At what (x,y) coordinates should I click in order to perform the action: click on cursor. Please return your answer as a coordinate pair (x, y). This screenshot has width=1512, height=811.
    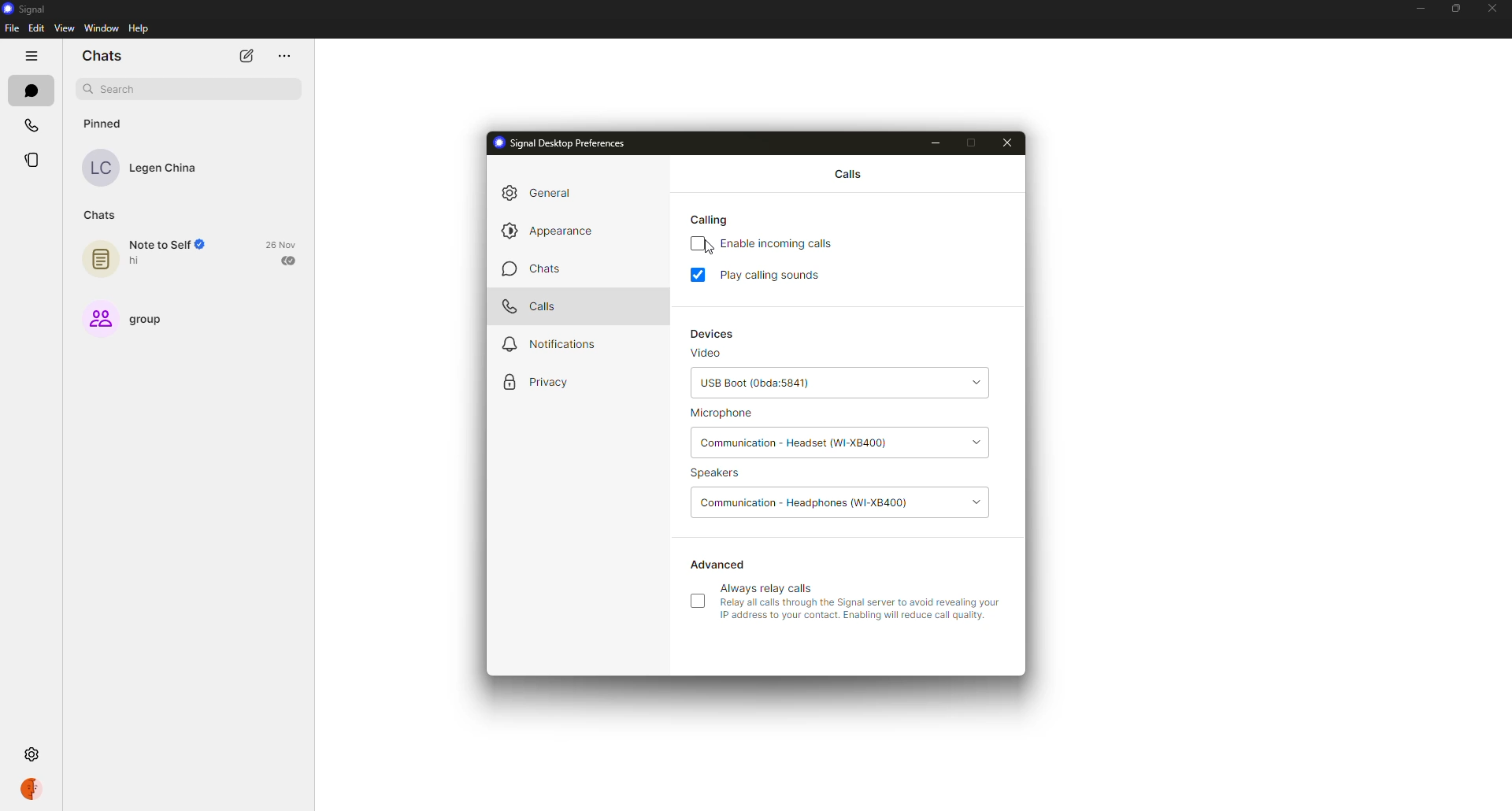
    Looking at the image, I should click on (705, 251).